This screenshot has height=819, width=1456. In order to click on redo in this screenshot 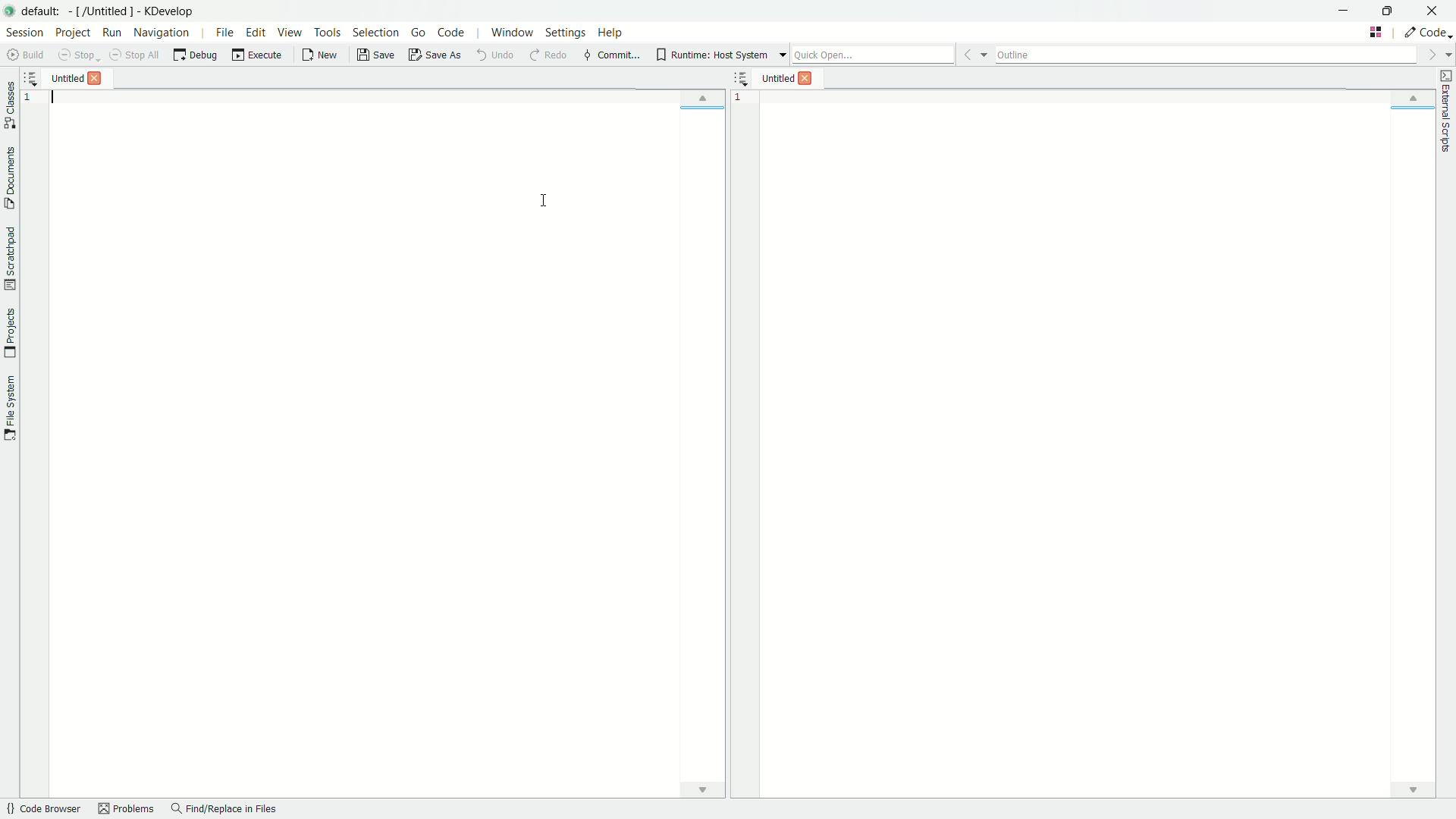, I will do `click(548, 55)`.